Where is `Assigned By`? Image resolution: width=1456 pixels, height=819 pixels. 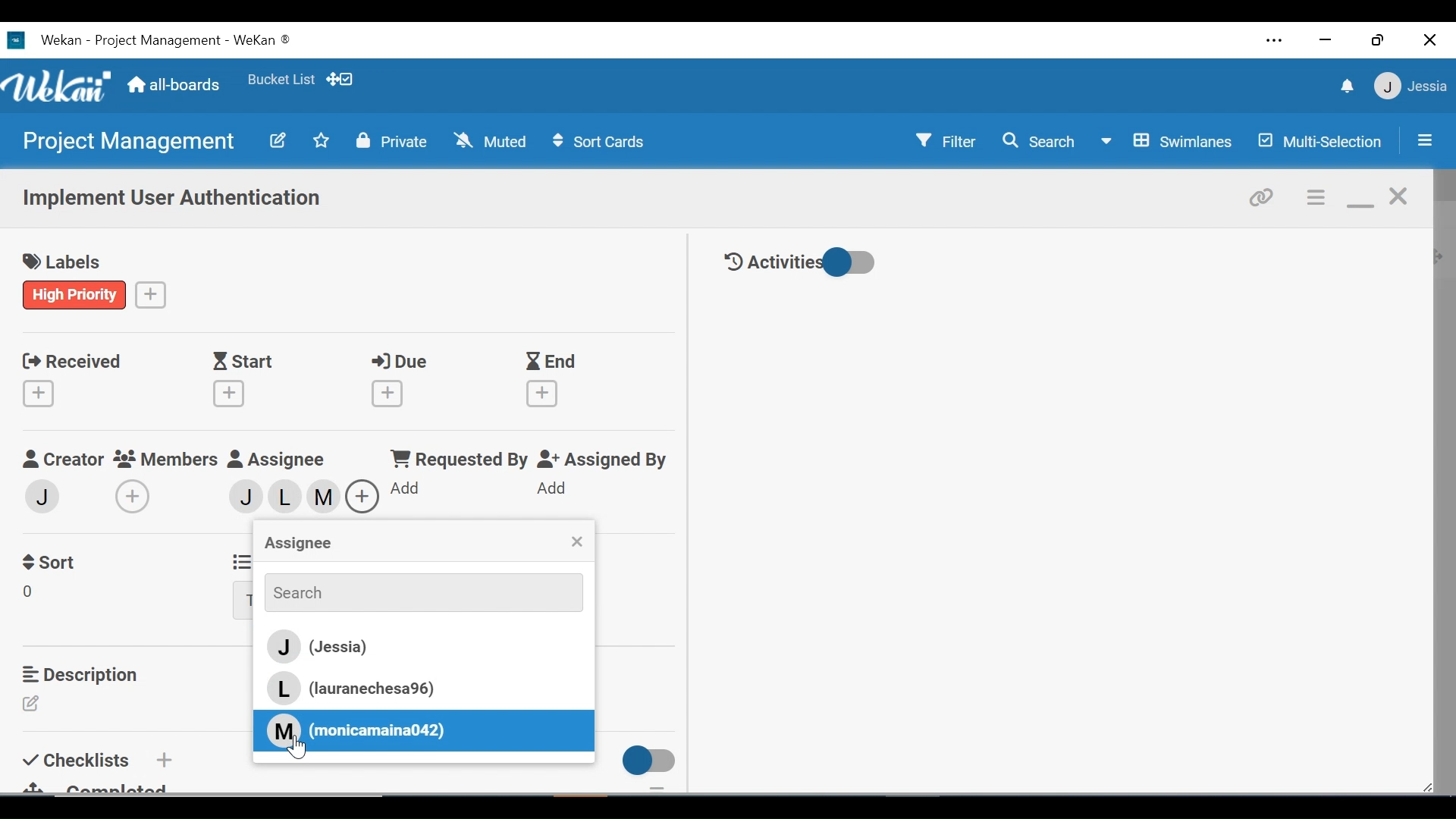
Assigned By is located at coordinates (603, 460).